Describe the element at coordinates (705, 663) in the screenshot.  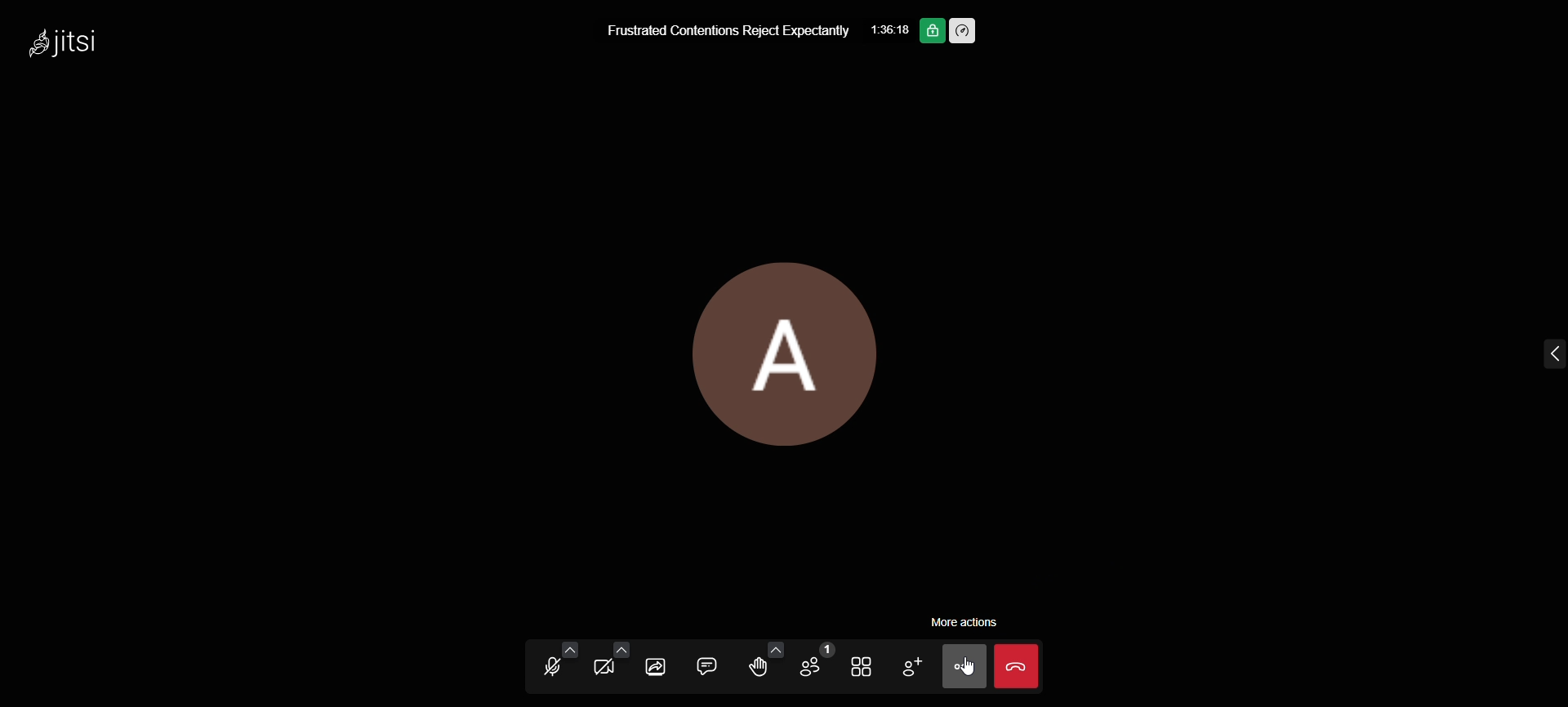
I see `open chat` at that location.